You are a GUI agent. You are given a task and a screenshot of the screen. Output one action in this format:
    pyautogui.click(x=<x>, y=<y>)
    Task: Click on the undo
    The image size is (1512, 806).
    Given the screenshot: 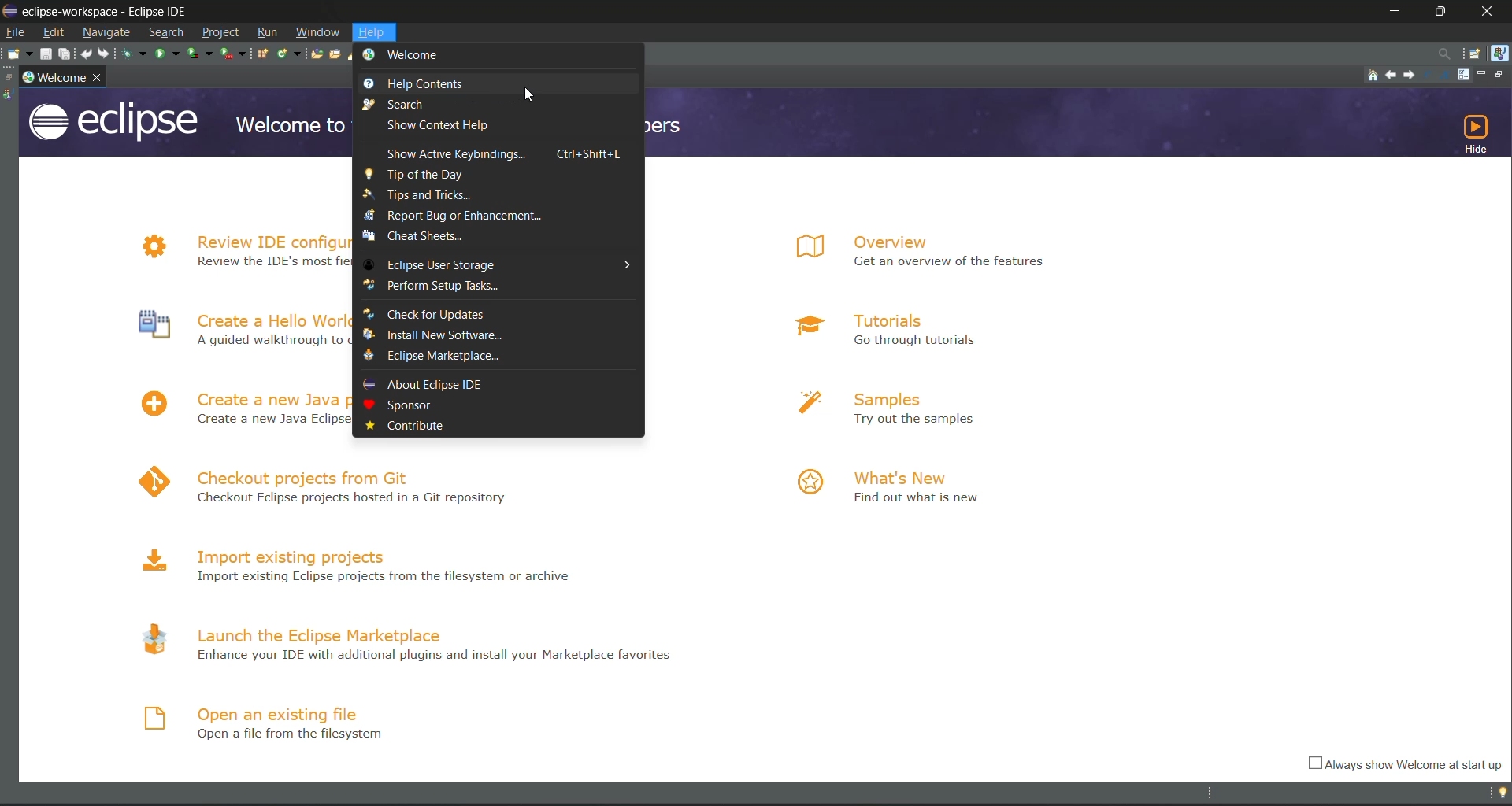 What is the action you would take?
    pyautogui.click(x=84, y=53)
    